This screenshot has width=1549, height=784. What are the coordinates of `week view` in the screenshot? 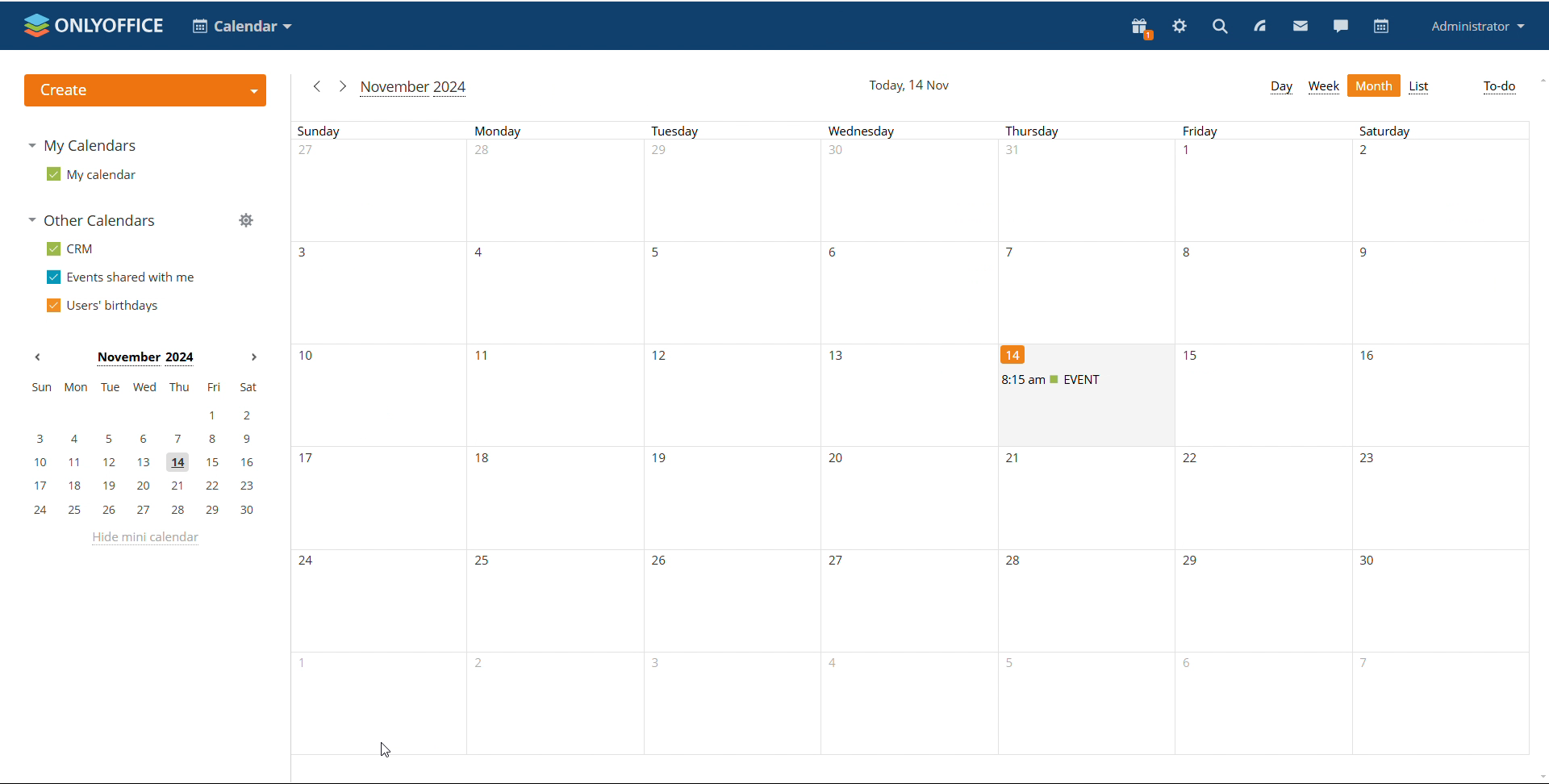 It's located at (1324, 87).